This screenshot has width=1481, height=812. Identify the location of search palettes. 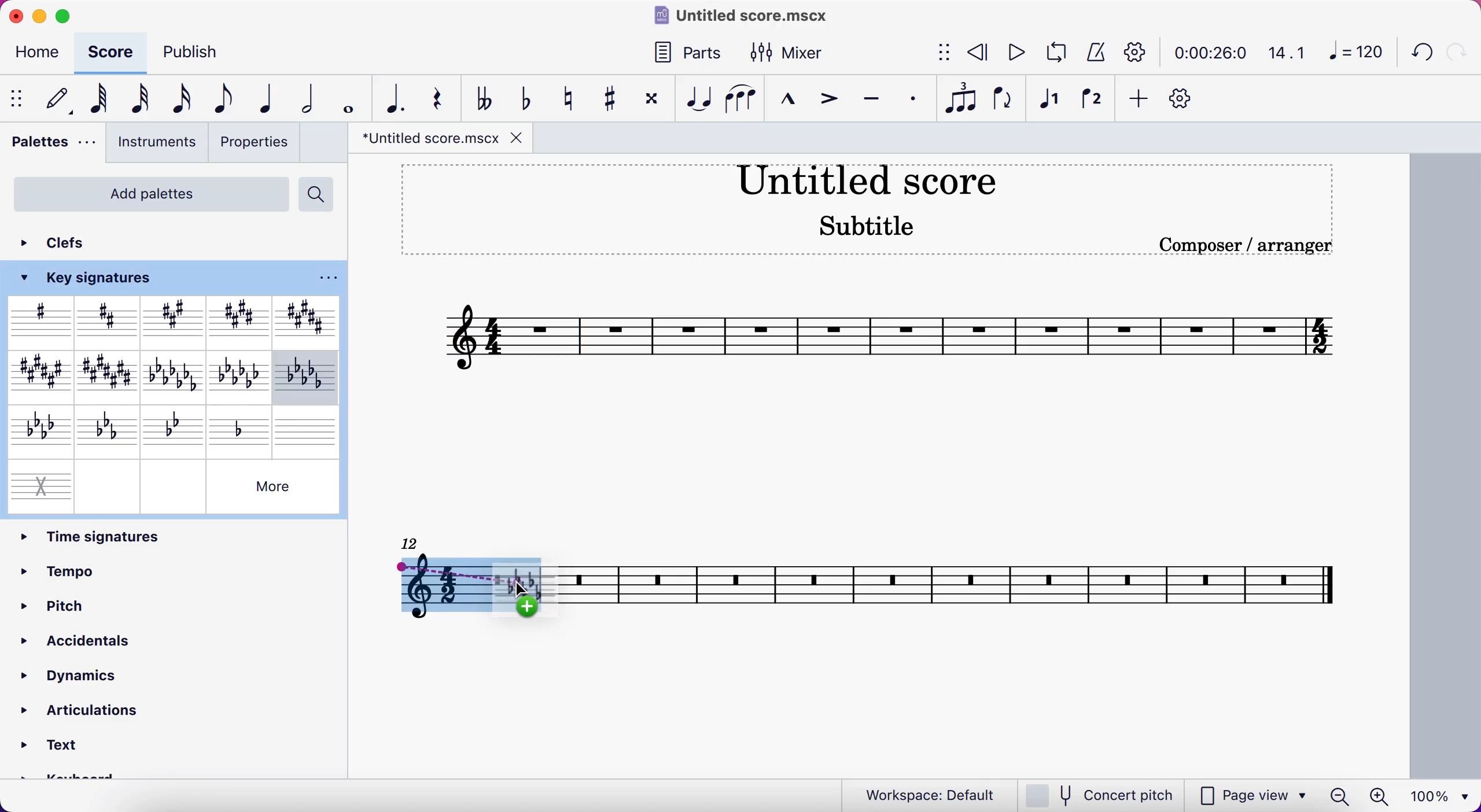
(318, 194).